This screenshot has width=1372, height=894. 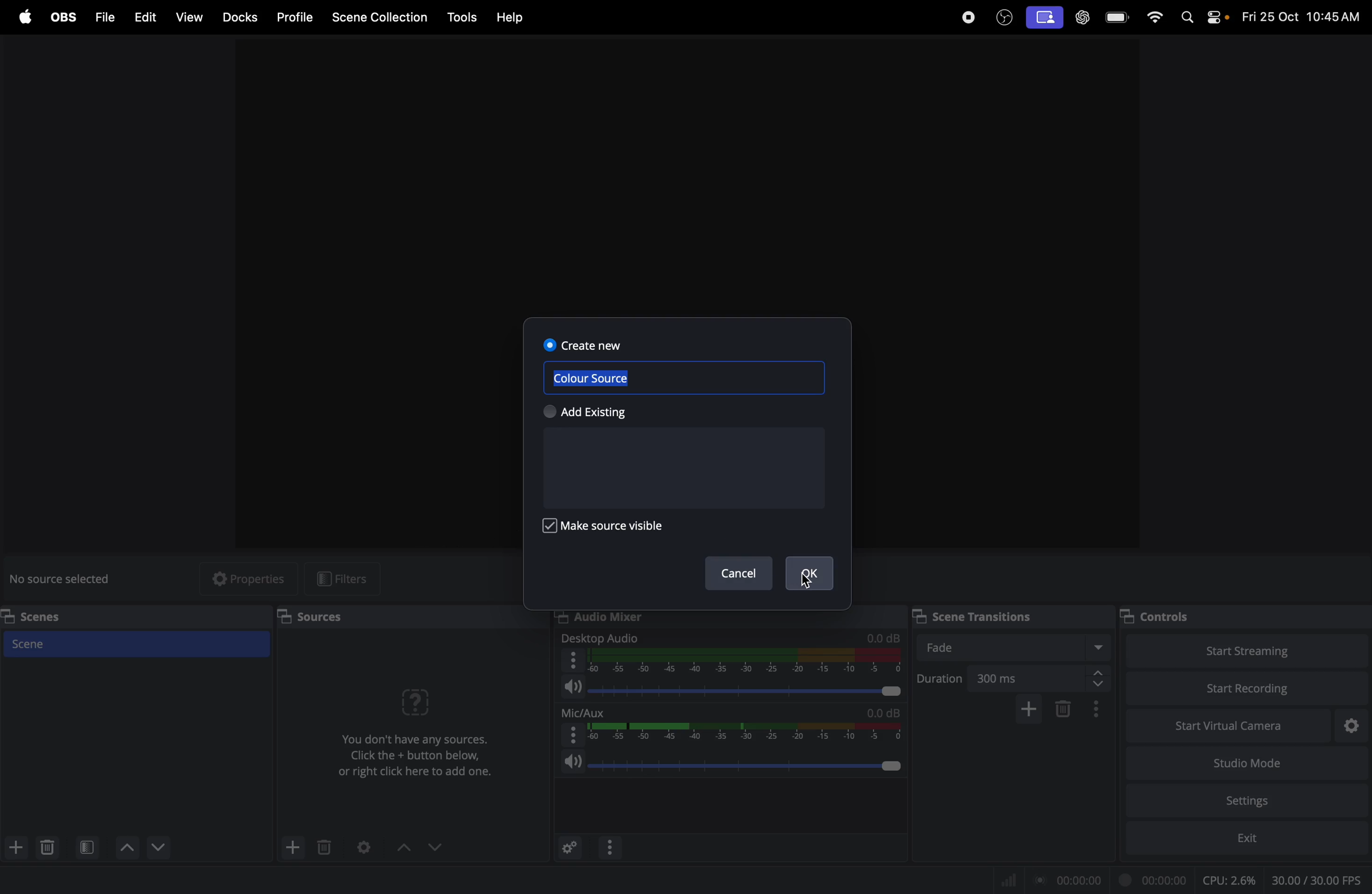 I want to click on delete, so click(x=52, y=847).